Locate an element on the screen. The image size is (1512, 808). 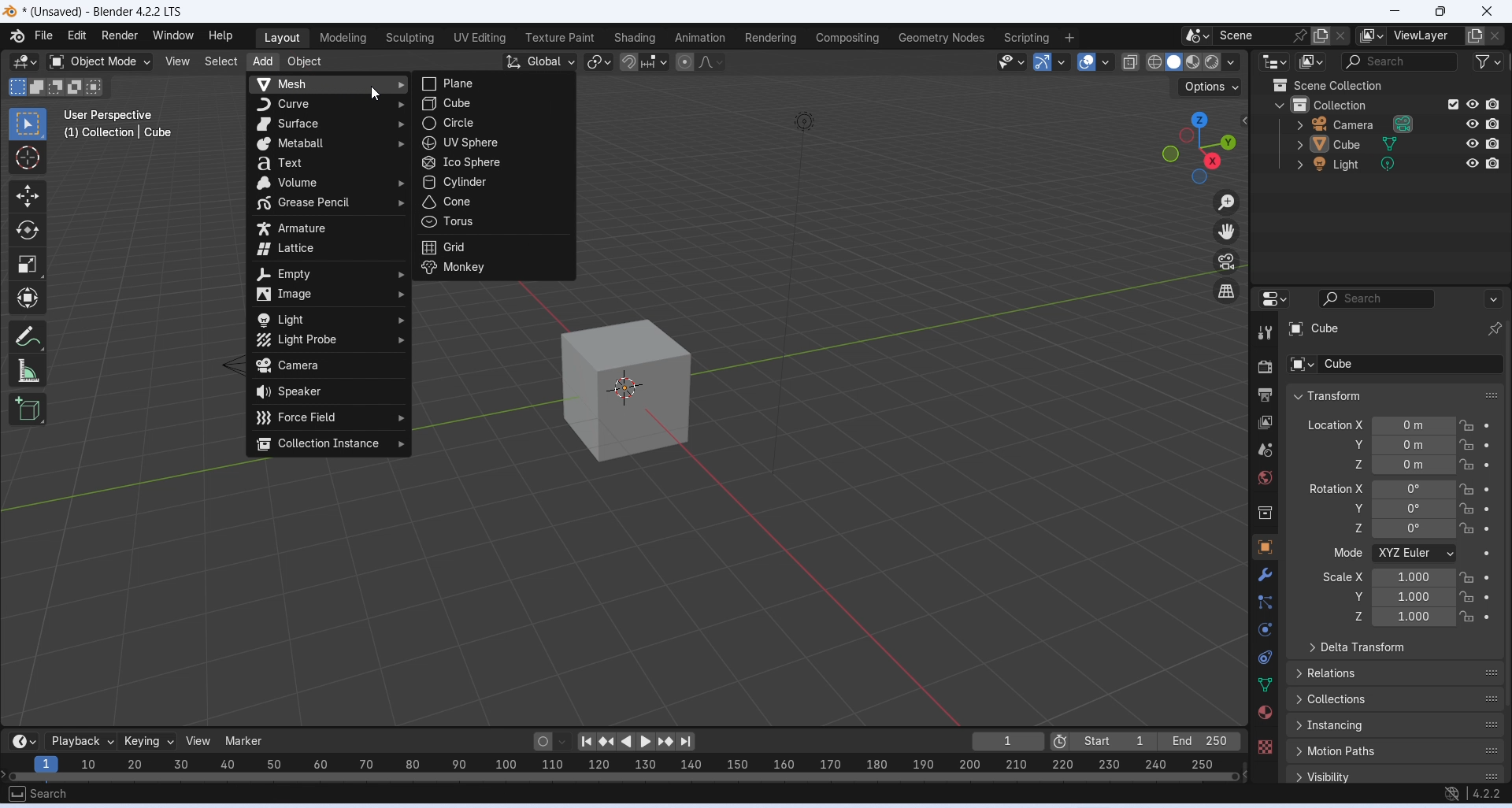
animate property is located at coordinates (1486, 577).